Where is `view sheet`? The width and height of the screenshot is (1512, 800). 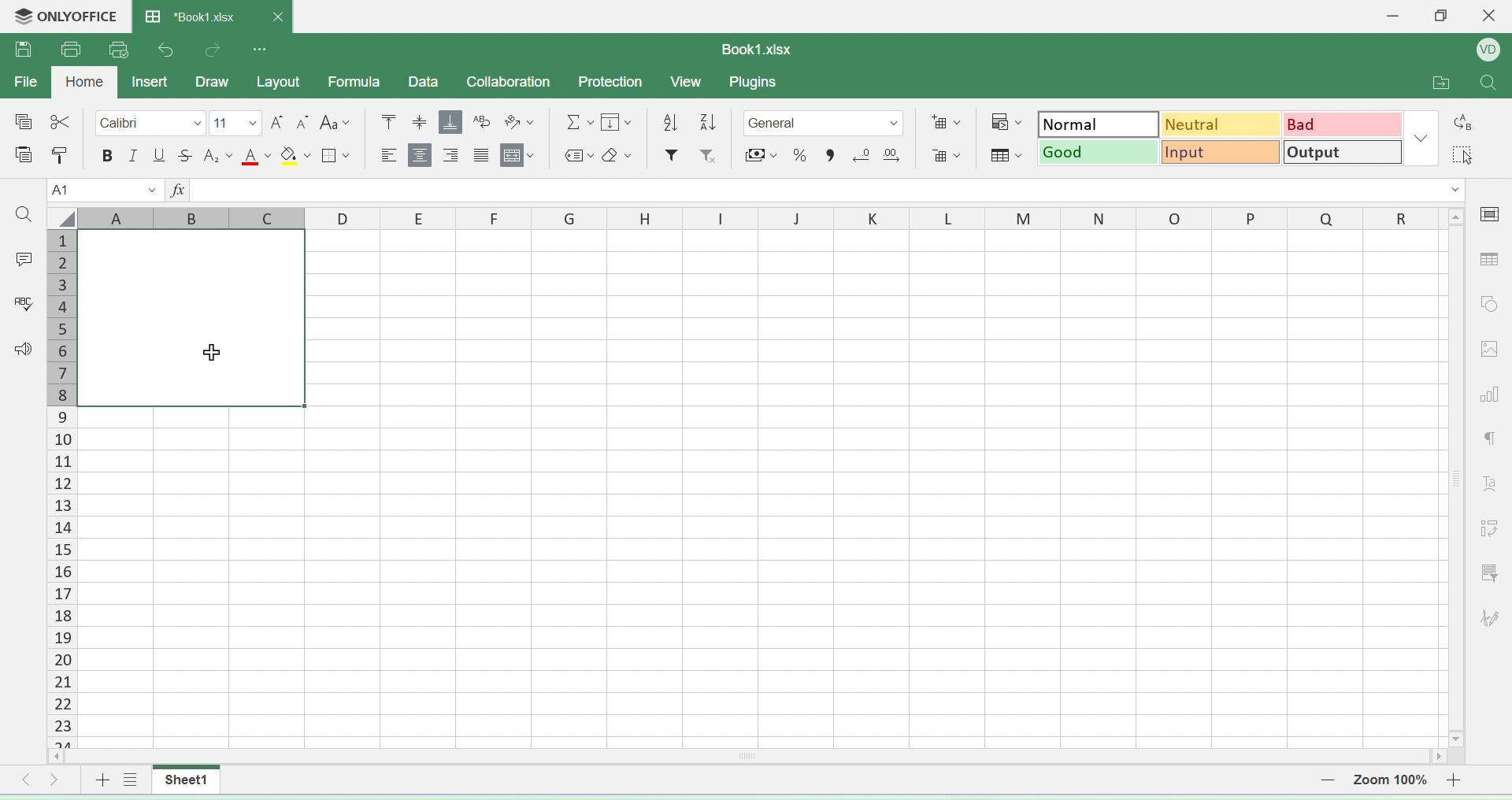
view sheet is located at coordinates (132, 782).